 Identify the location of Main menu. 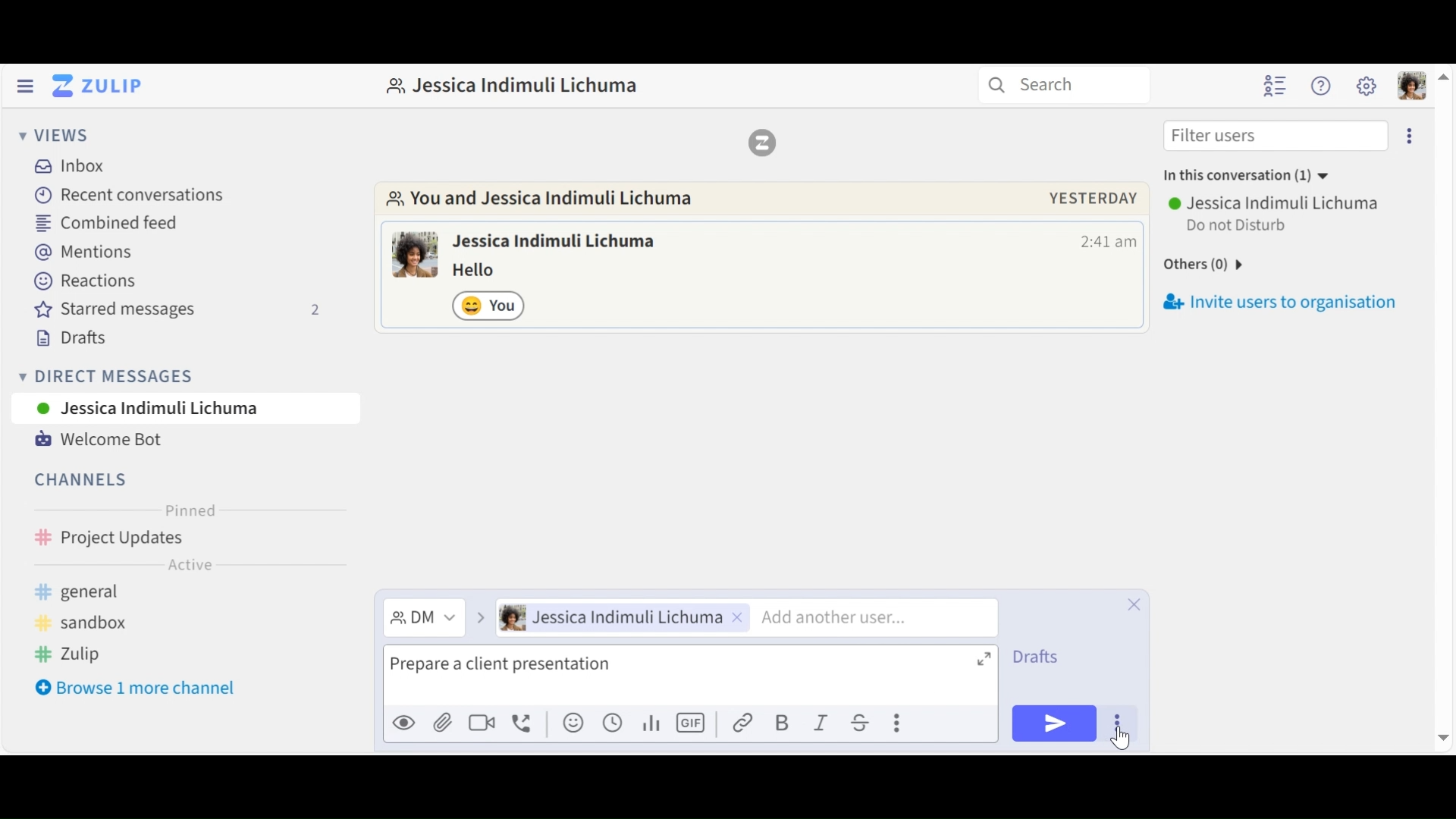
(1367, 86).